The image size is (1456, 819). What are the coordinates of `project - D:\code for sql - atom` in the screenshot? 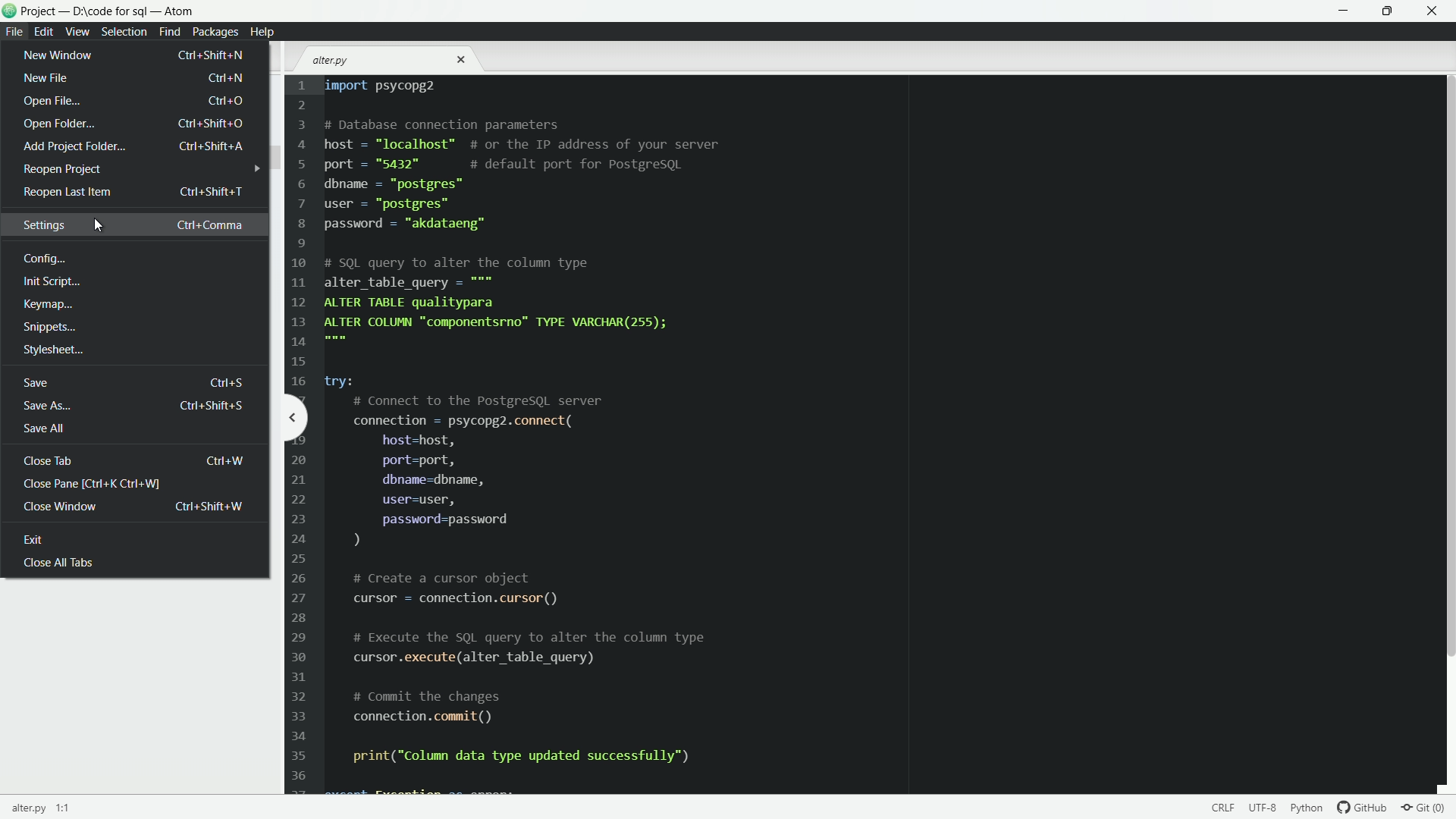 It's located at (110, 12).